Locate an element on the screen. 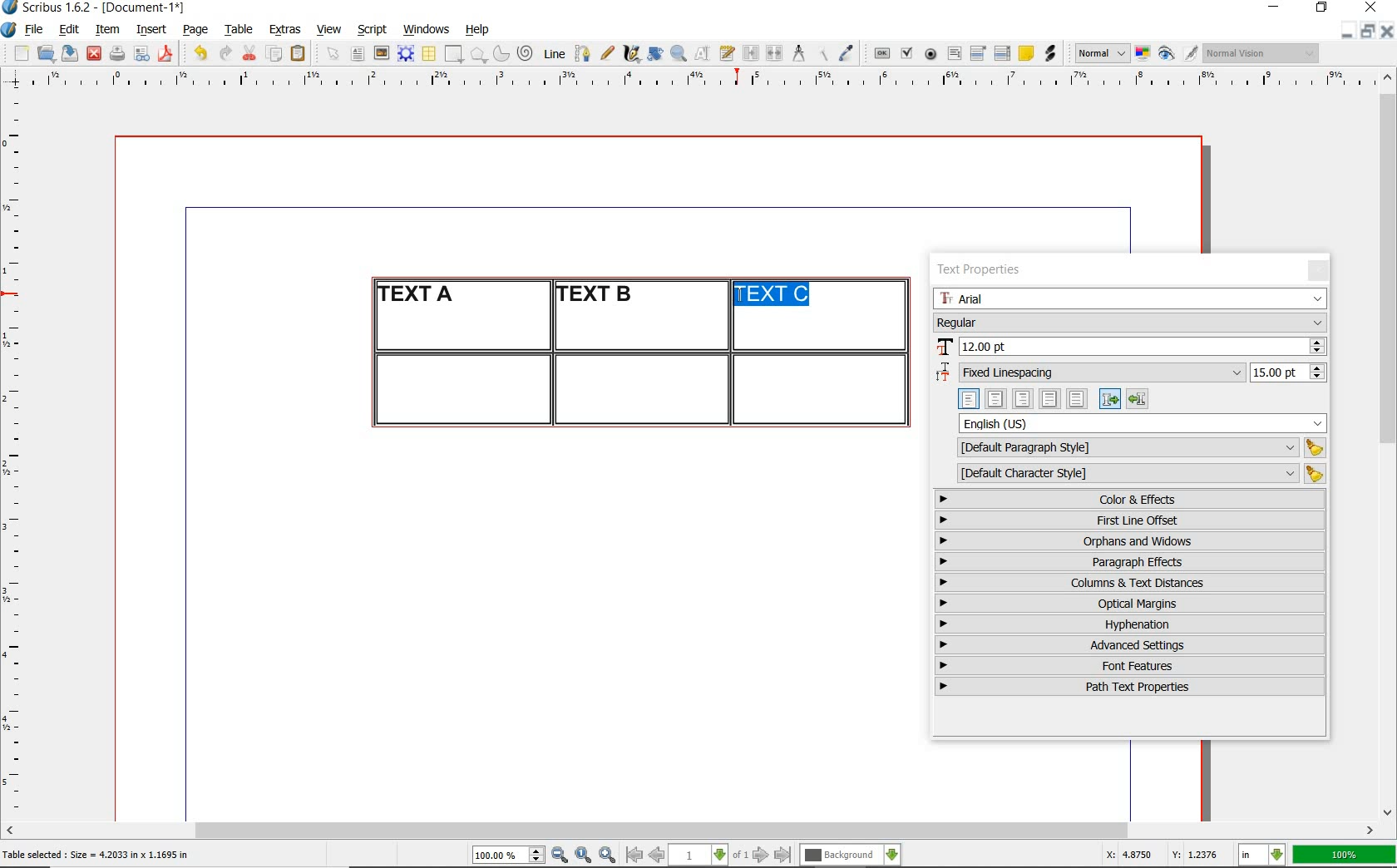 Image resolution: width=1397 pixels, height=868 pixels. text properties is located at coordinates (985, 269).